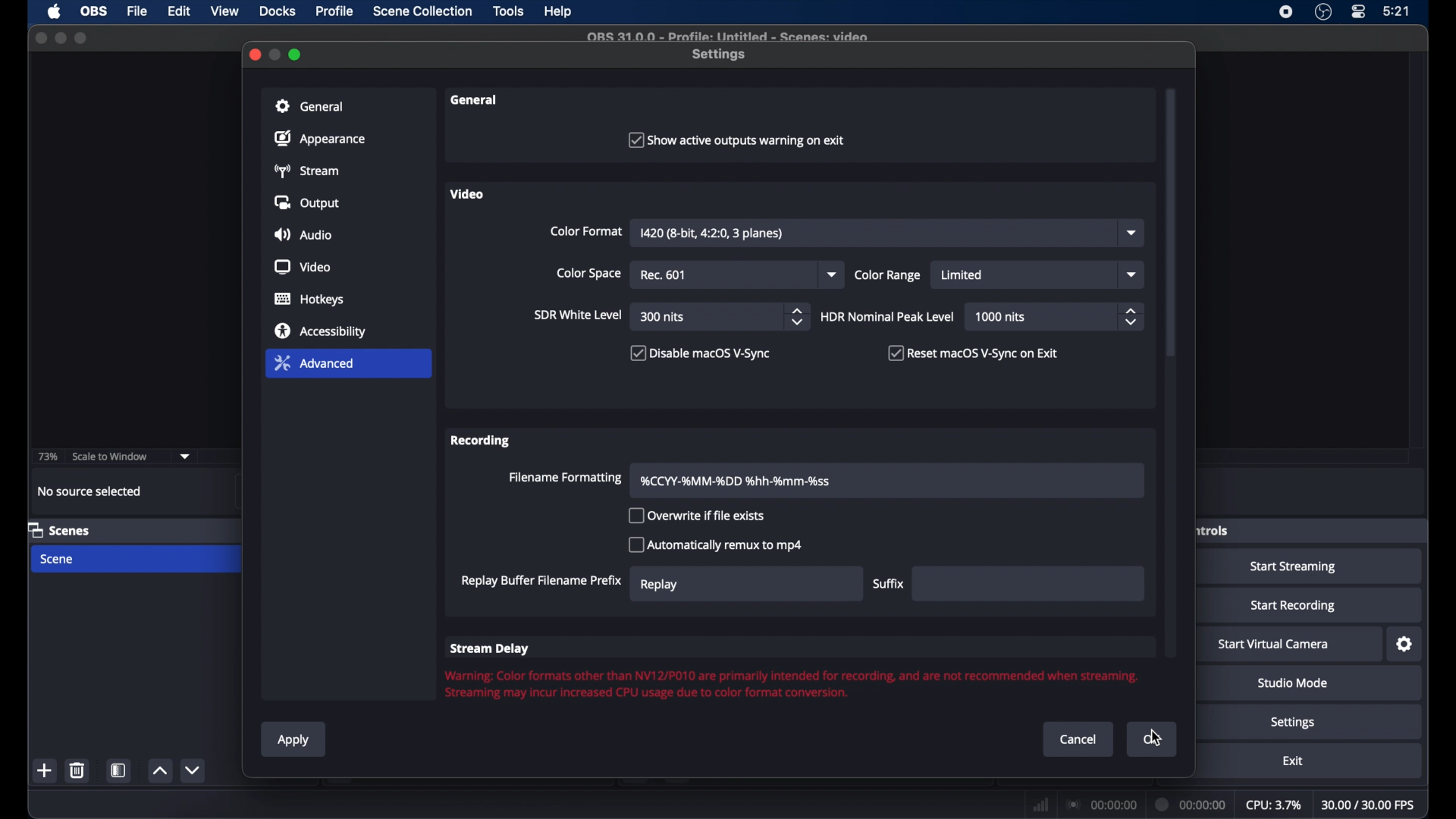 The height and width of the screenshot is (819, 1456). I want to click on general, so click(477, 99).